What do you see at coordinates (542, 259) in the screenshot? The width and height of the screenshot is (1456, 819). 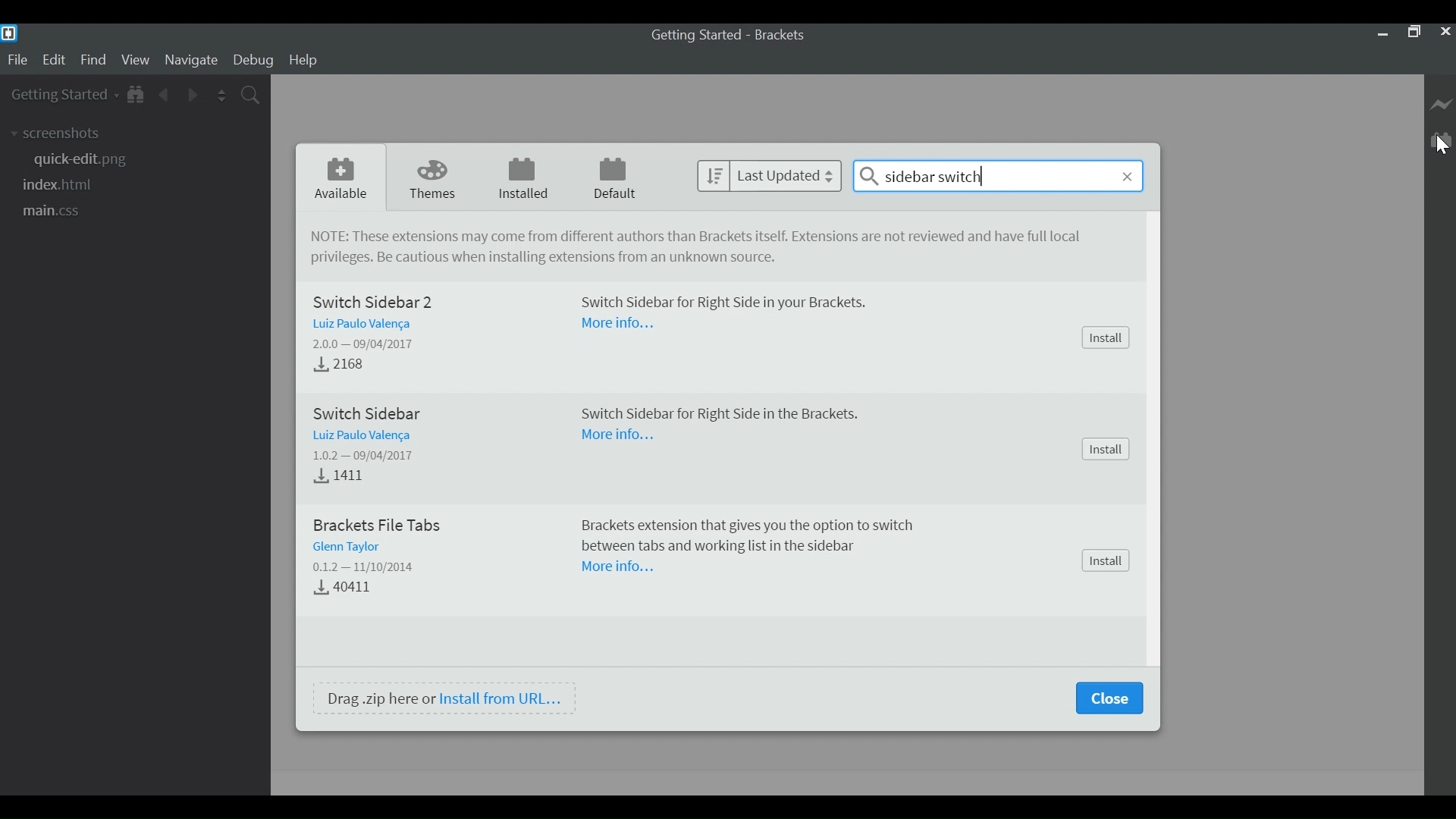 I see `Be cautious when installing extensions from unkown source` at bounding box center [542, 259].